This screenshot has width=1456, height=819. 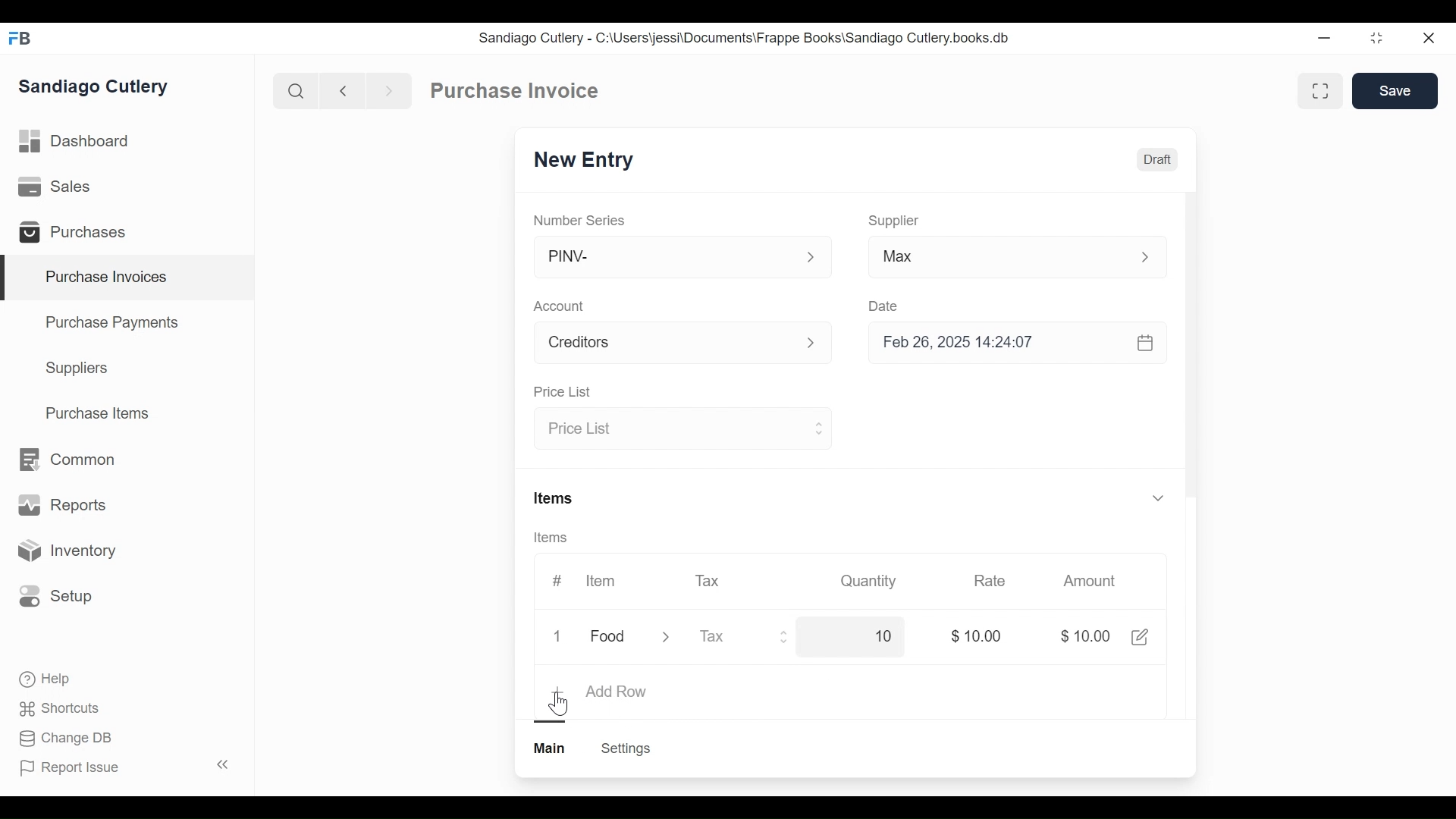 What do you see at coordinates (1093, 582) in the screenshot?
I see `Amount` at bounding box center [1093, 582].